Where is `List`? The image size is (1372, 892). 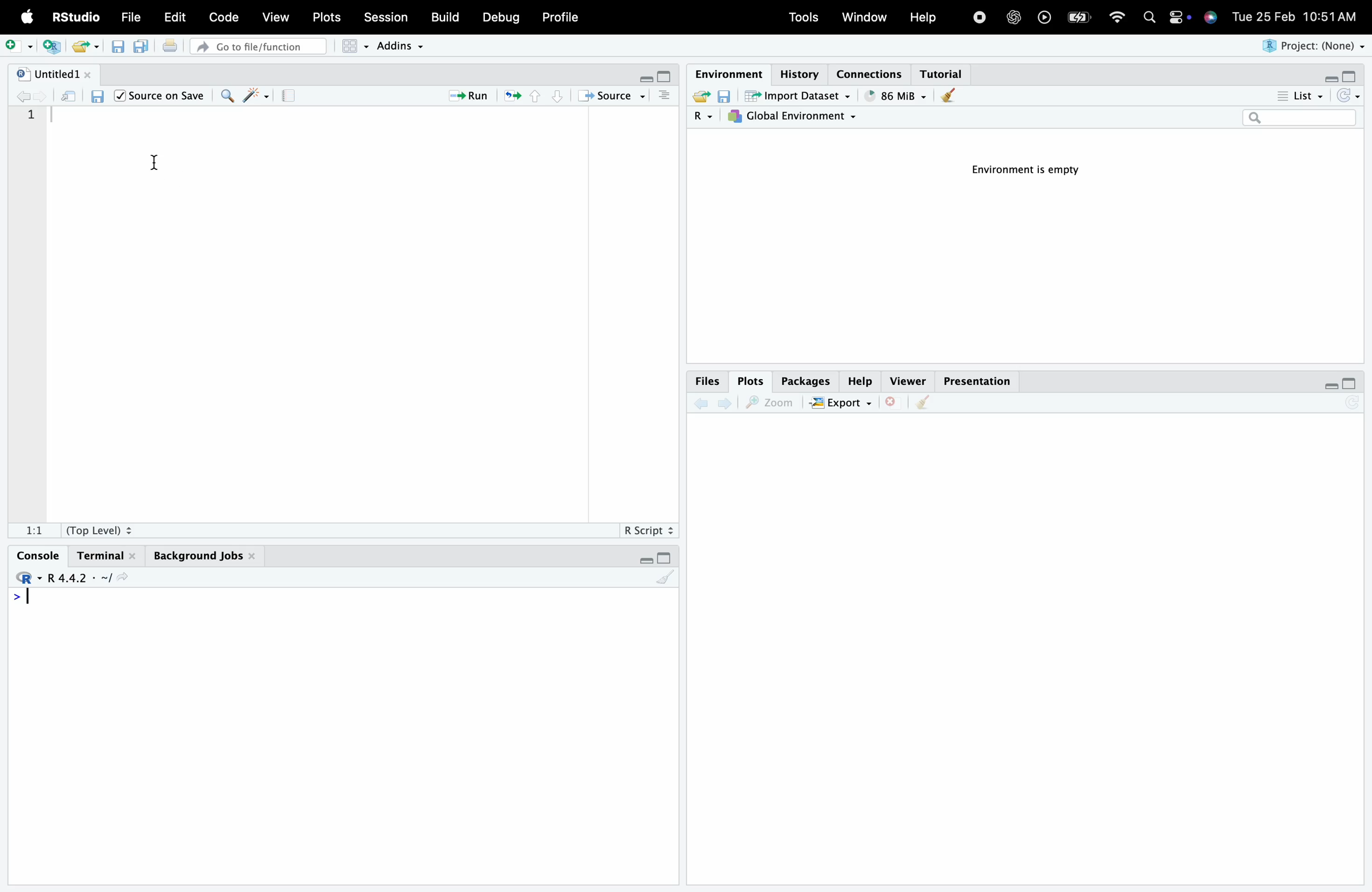
List is located at coordinates (1295, 95).